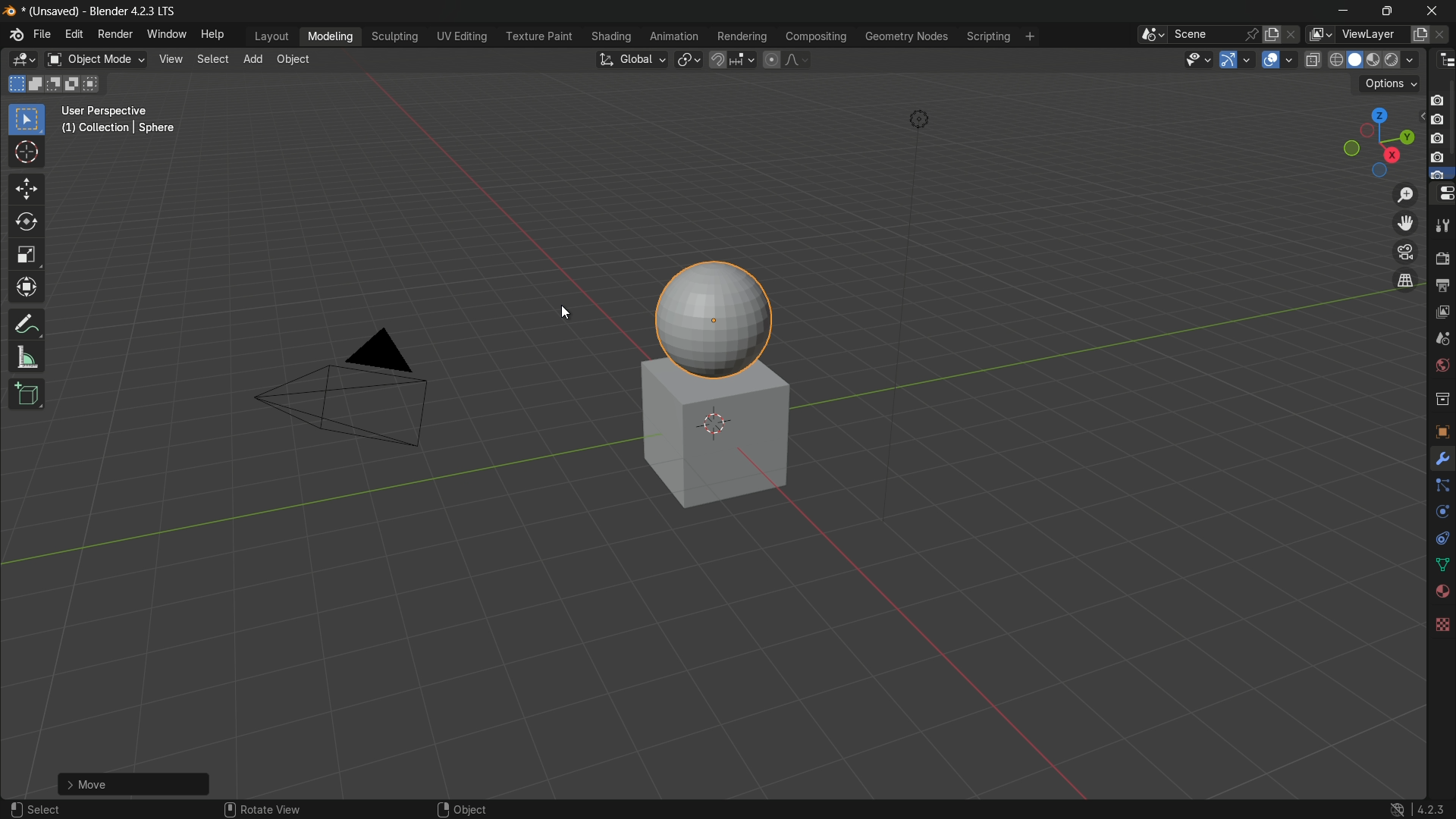 This screenshot has height=819, width=1456. I want to click on User Perspective (1) Collection | Sphere, so click(118, 119).